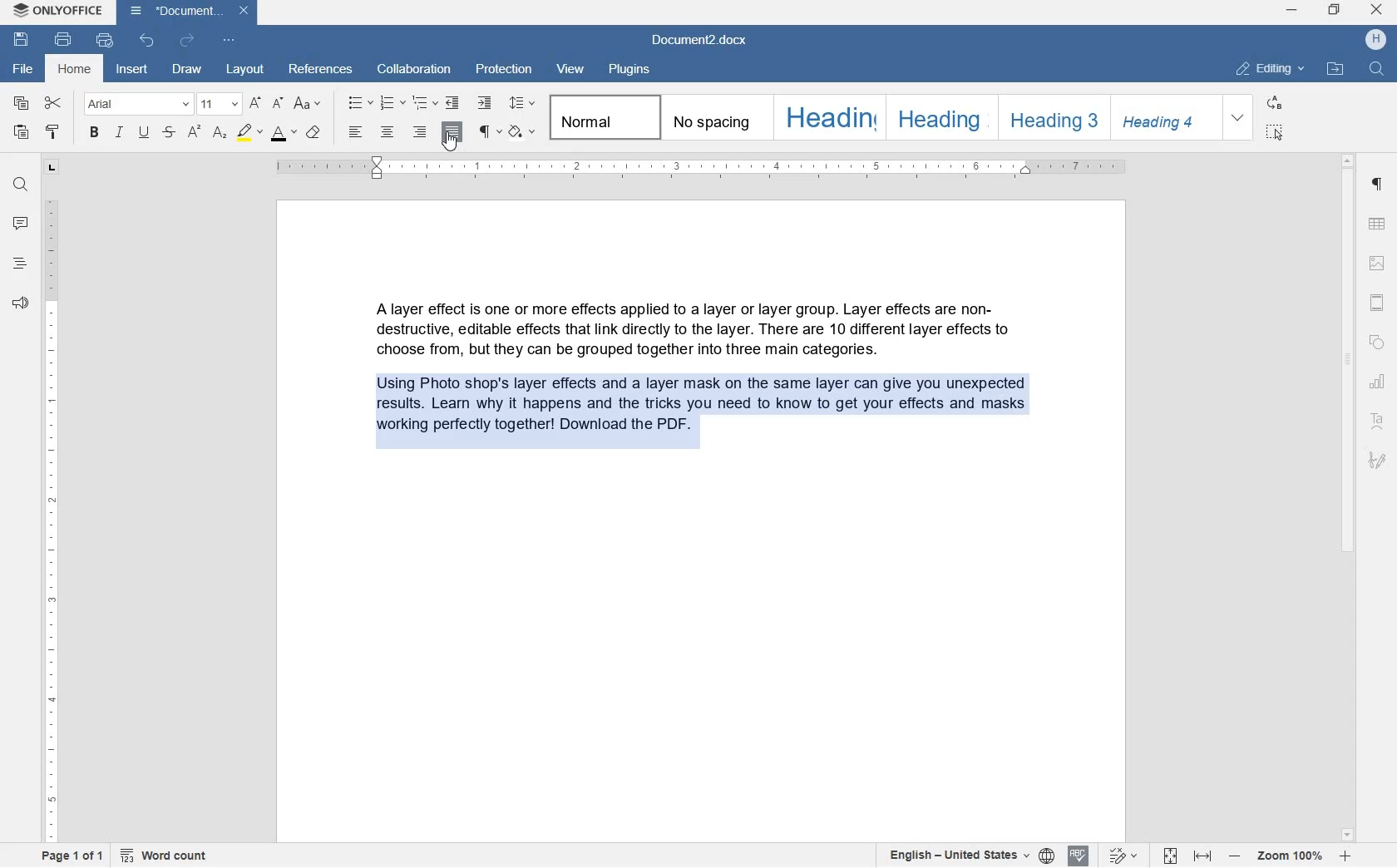 The height and width of the screenshot is (868, 1397). I want to click on close, so click(1378, 11).